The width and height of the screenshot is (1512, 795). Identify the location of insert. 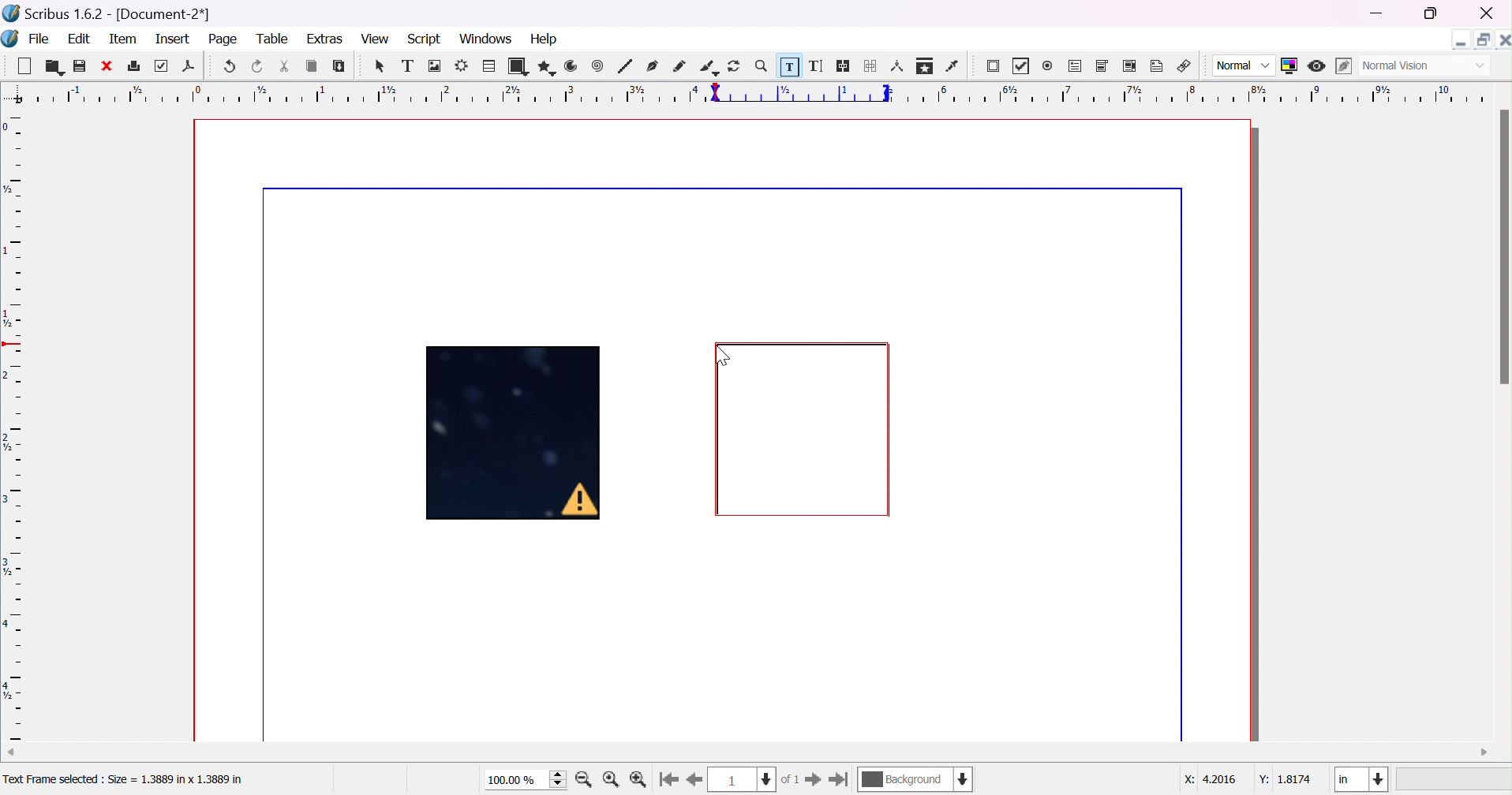
(175, 39).